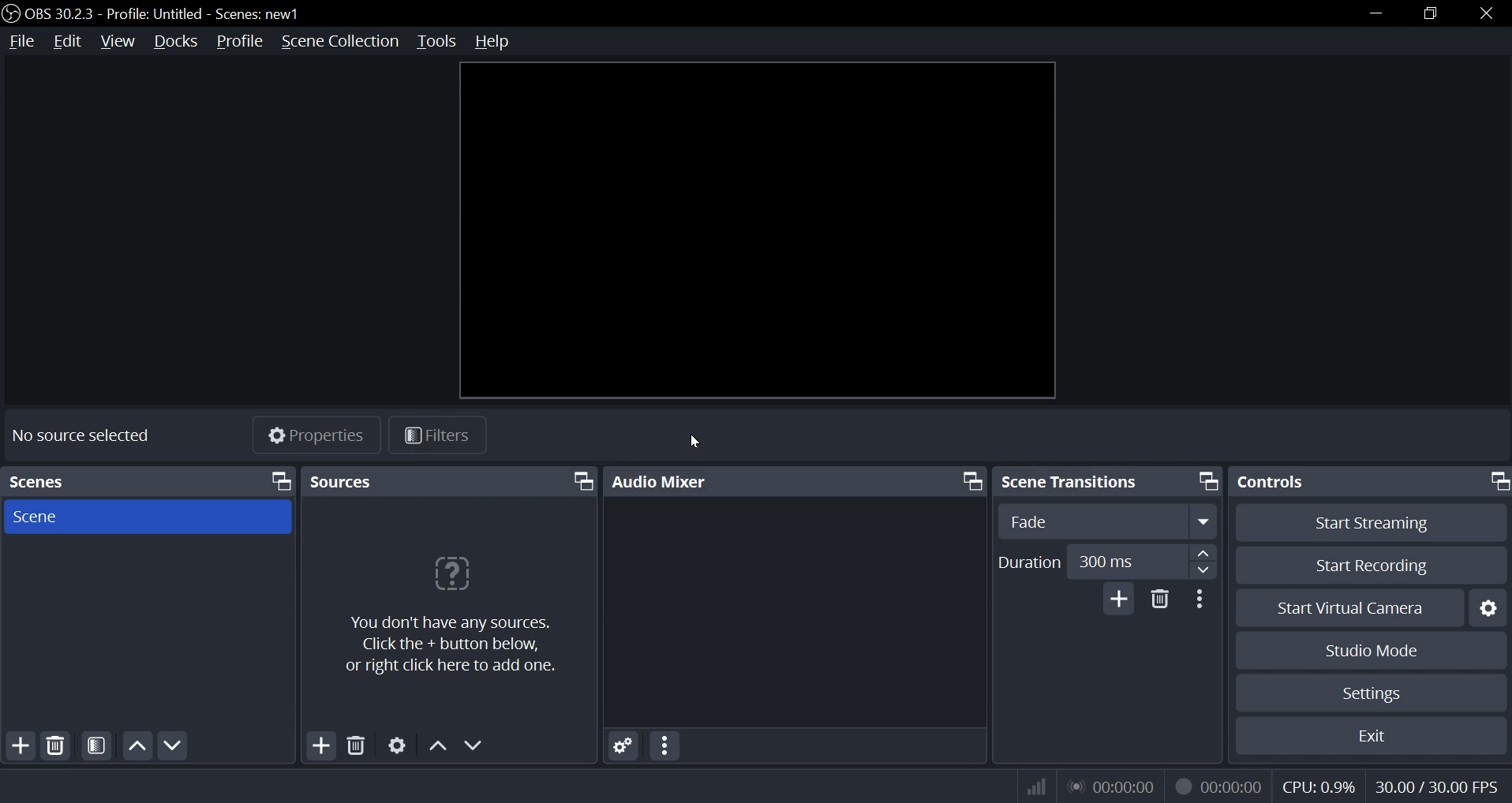 The height and width of the screenshot is (803, 1512). Describe the element at coordinates (1491, 607) in the screenshot. I see `settings` at that location.